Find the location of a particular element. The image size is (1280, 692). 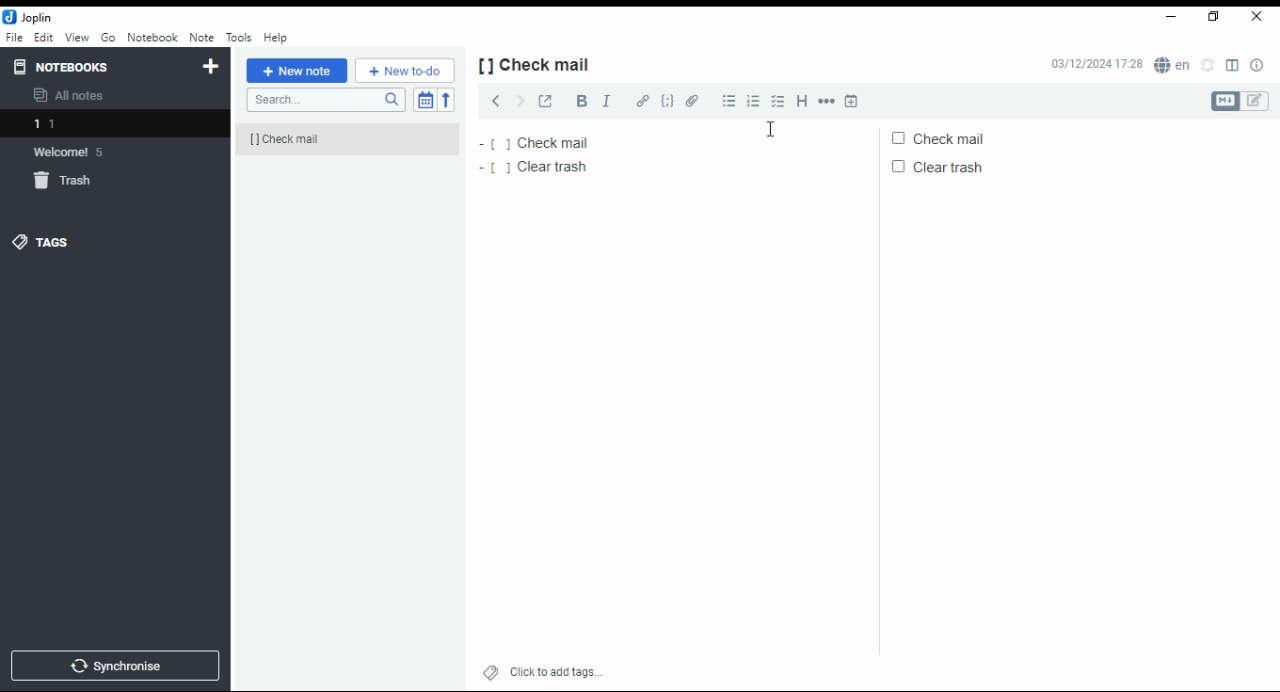

horizontal rule is located at coordinates (827, 101).